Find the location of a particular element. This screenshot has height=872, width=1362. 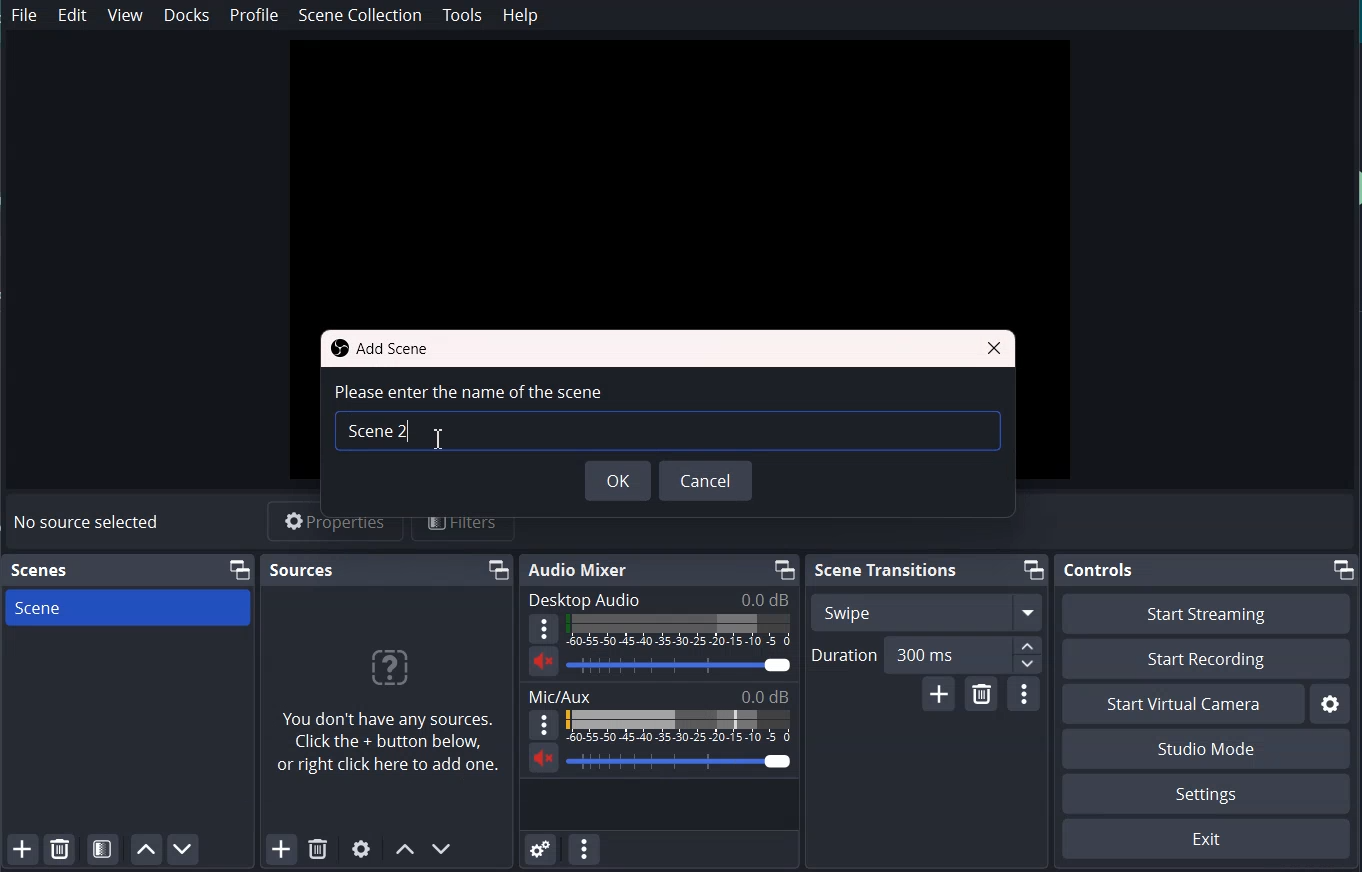

Mute  is located at coordinates (544, 661).